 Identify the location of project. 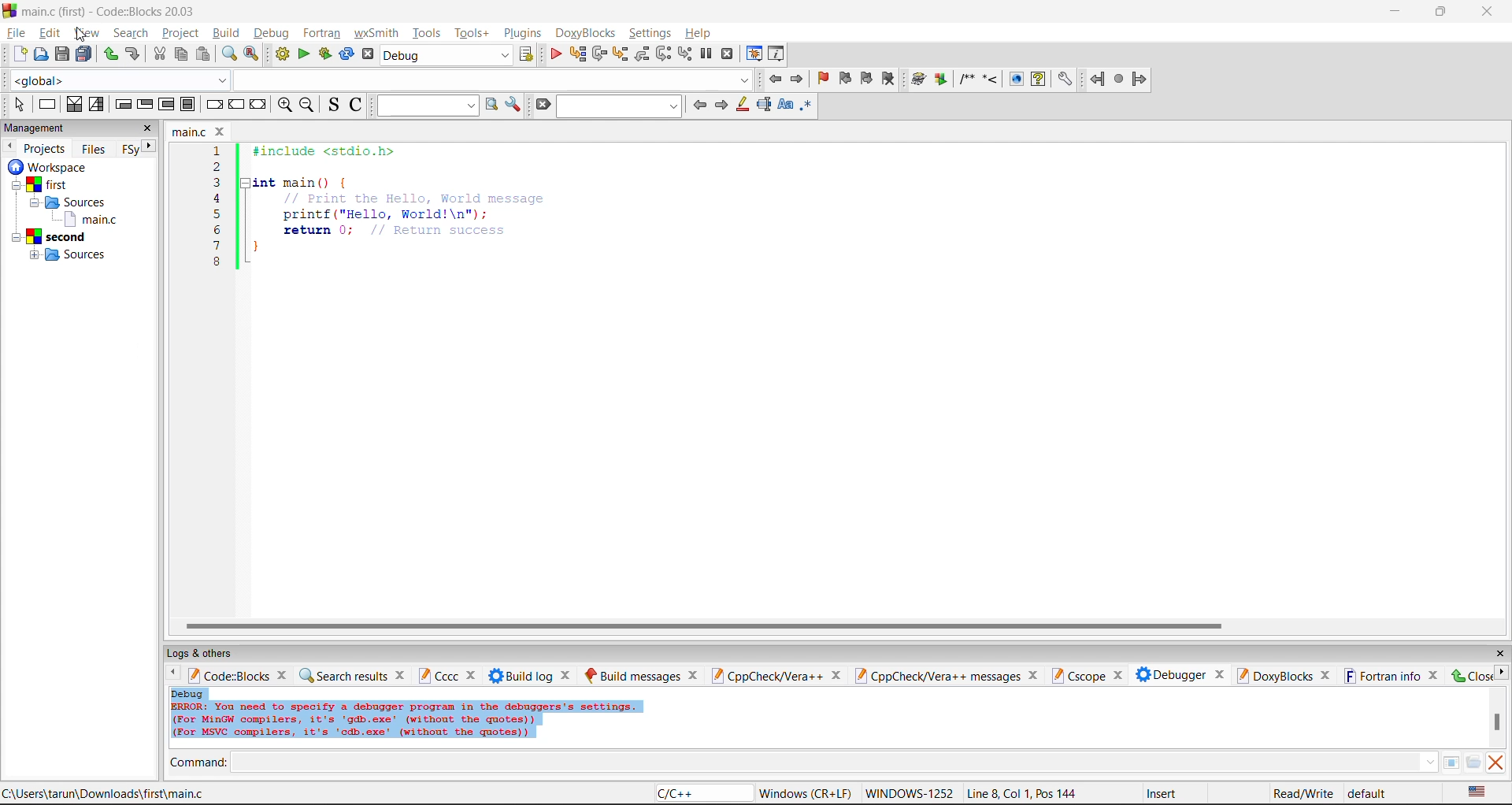
(183, 33).